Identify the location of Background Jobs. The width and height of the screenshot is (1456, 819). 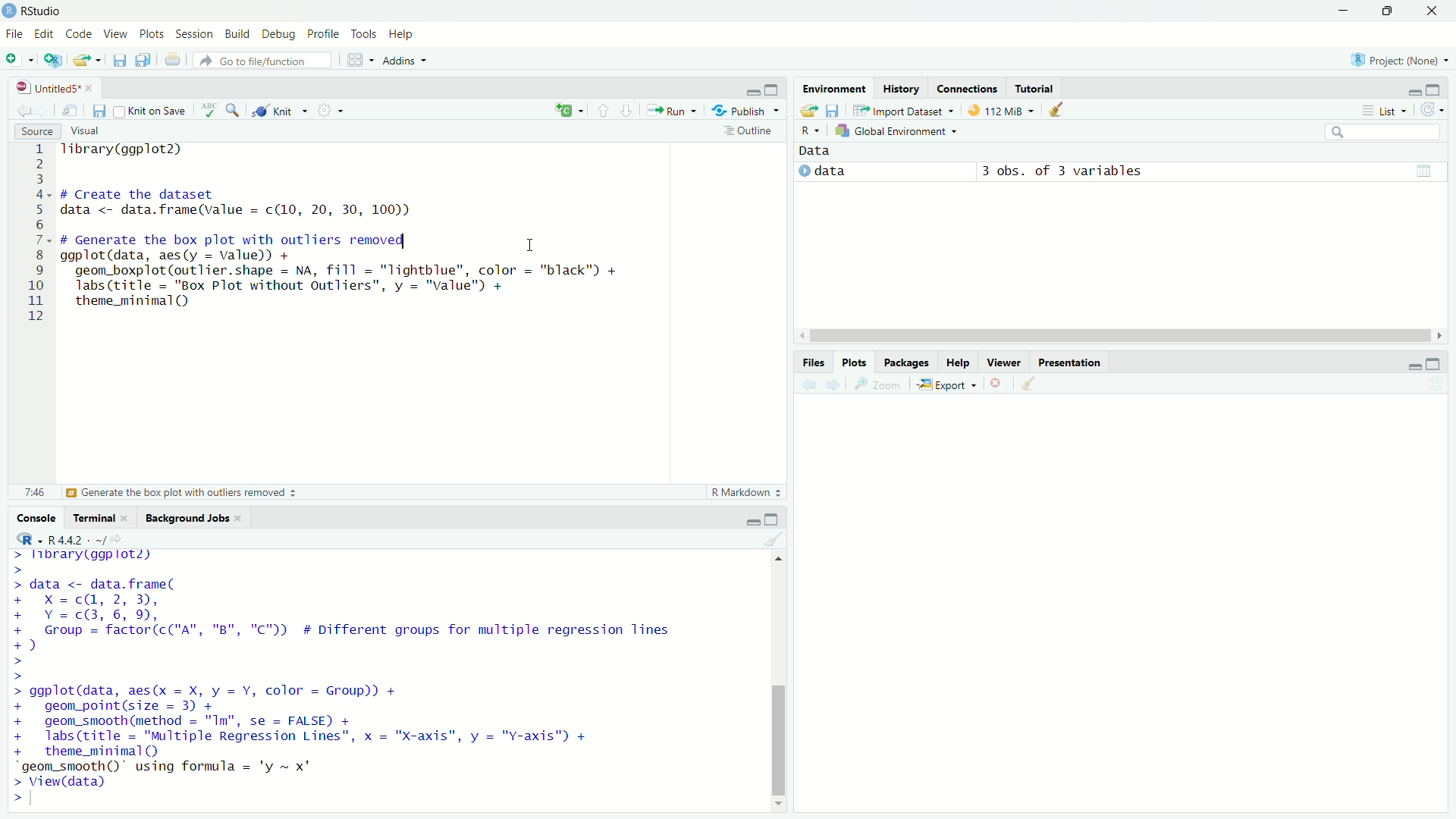
(196, 518).